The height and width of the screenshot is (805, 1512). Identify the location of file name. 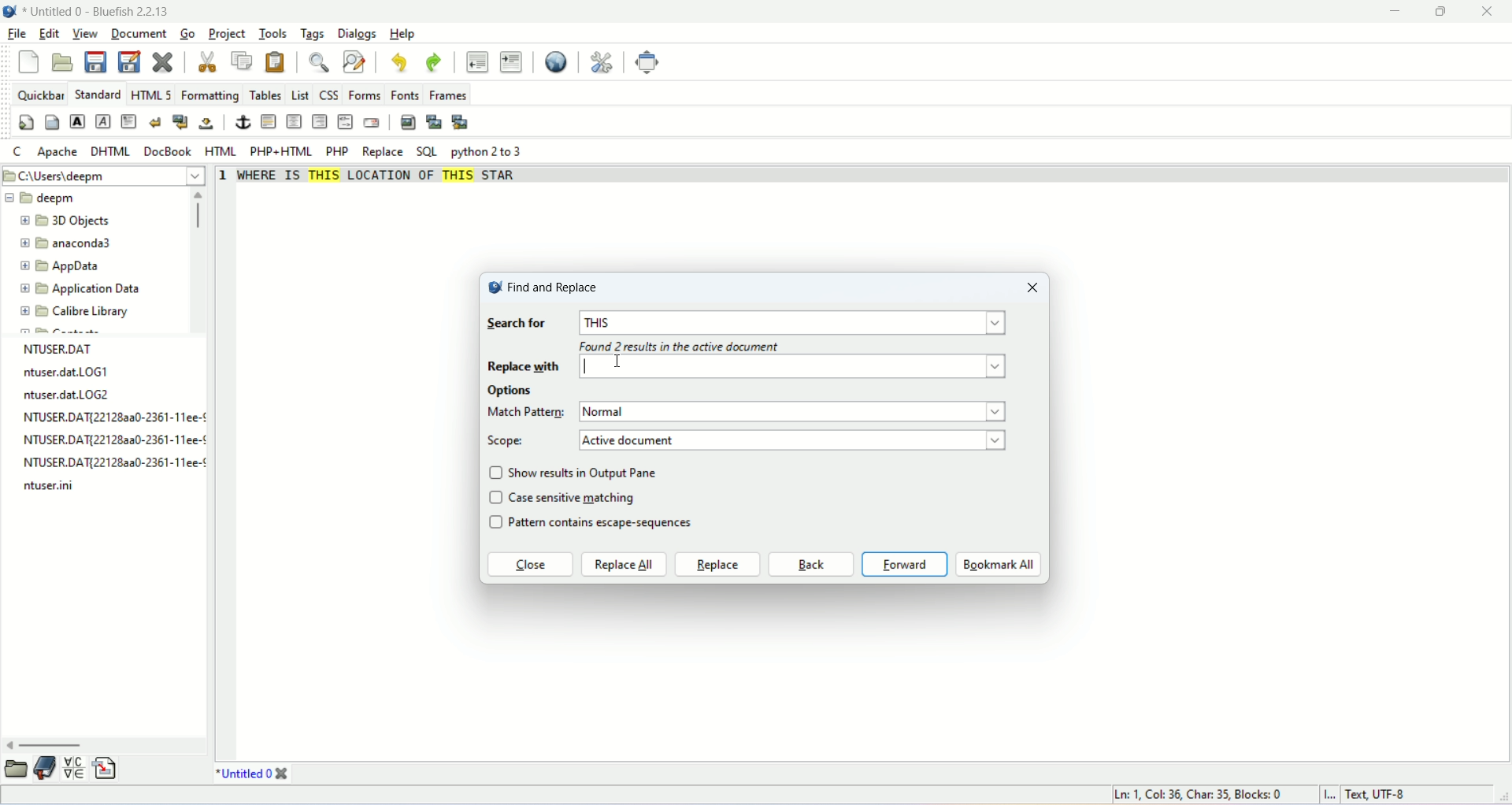
(117, 417).